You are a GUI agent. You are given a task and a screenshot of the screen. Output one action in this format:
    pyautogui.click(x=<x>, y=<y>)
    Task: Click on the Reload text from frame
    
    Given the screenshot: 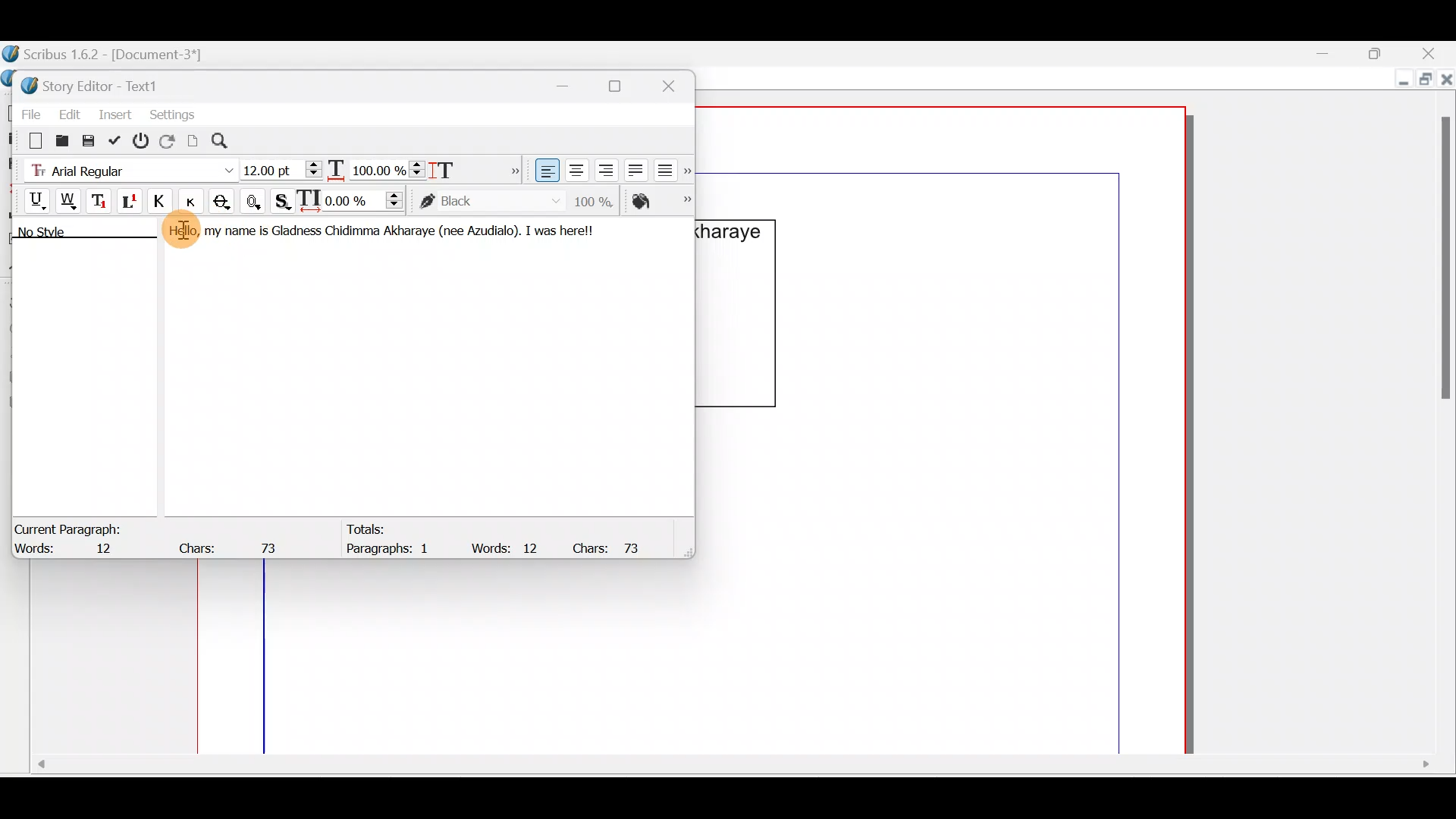 What is the action you would take?
    pyautogui.click(x=169, y=140)
    